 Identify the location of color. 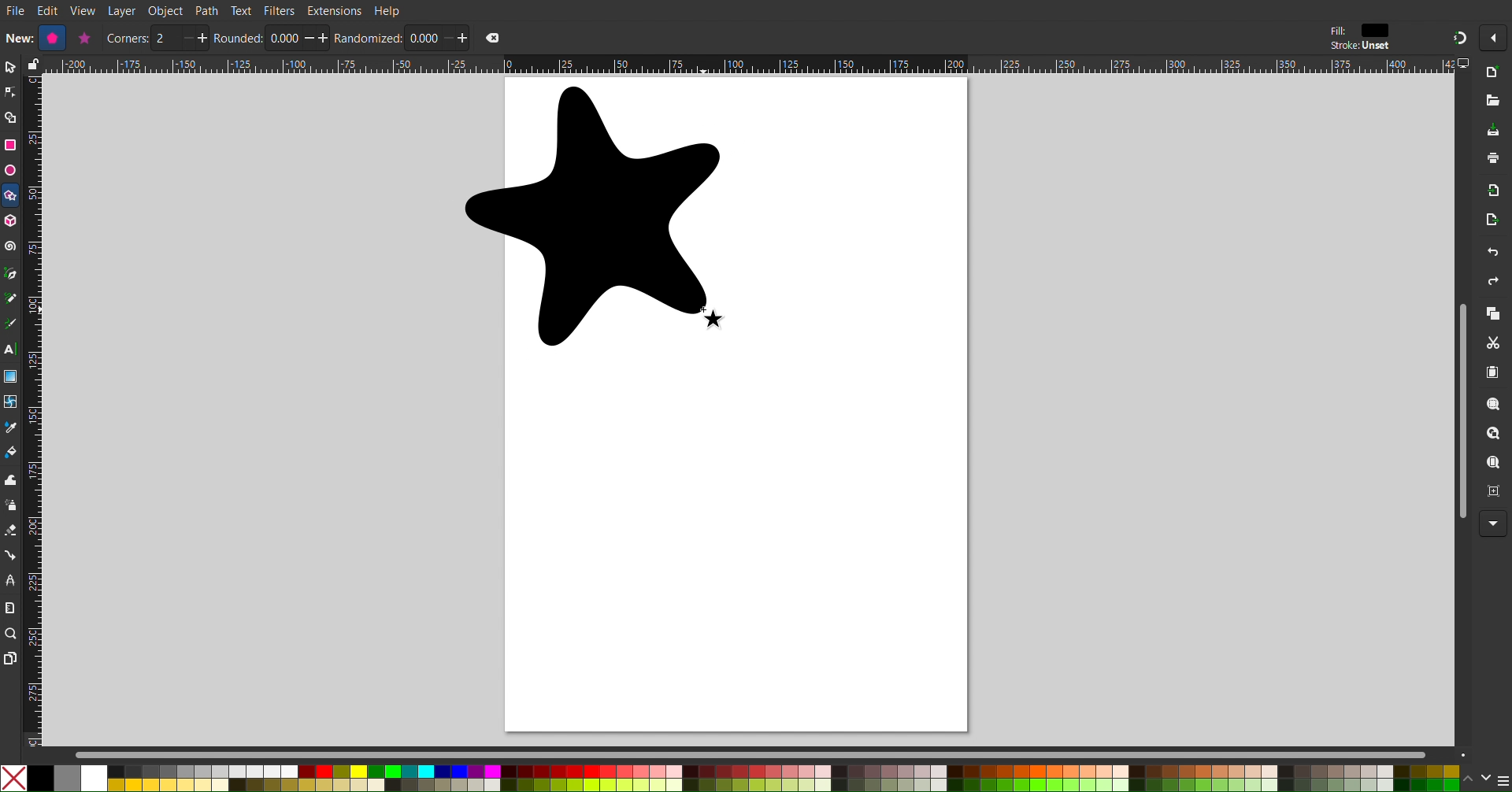
(1376, 30).